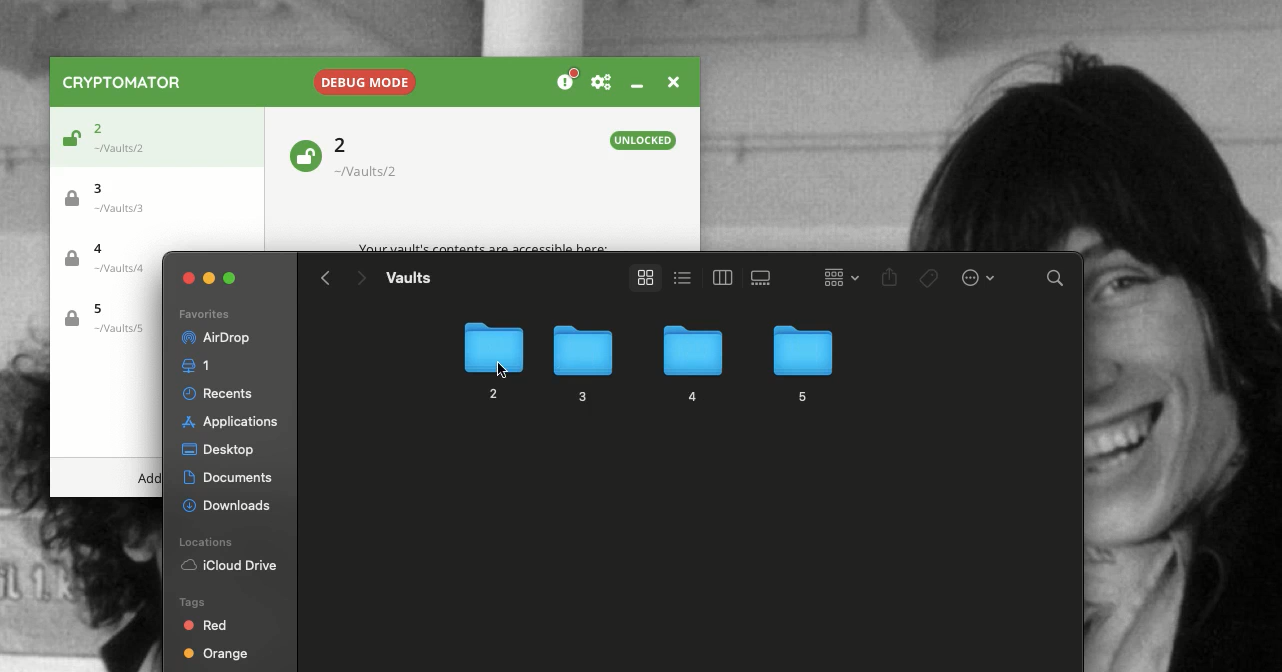 This screenshot has height=672, width=1282. I want to click on Options, so click(976, 276).